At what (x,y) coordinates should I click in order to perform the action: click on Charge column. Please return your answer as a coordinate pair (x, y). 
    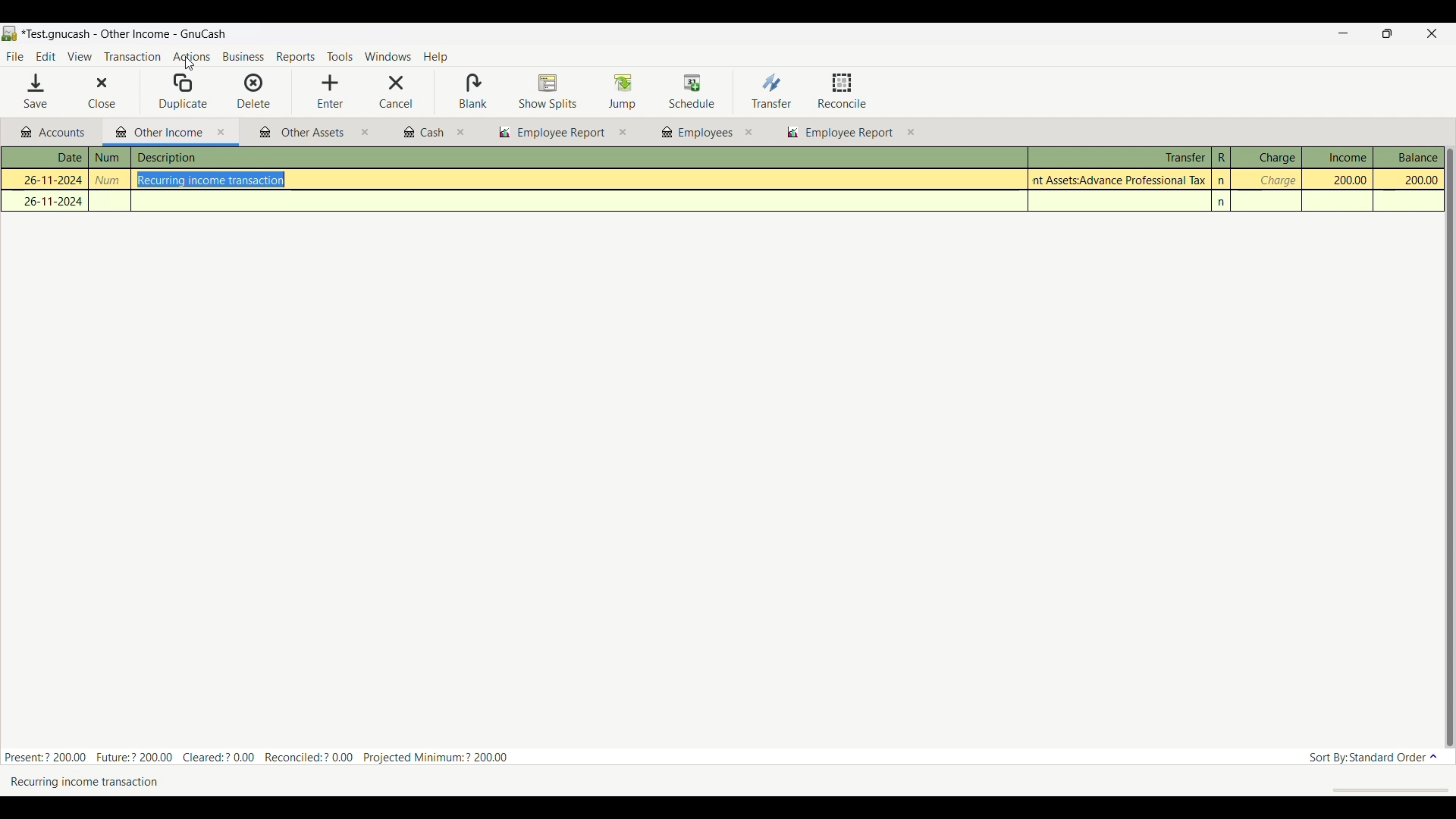
    Looking at the image, I should click on (1266, 158).